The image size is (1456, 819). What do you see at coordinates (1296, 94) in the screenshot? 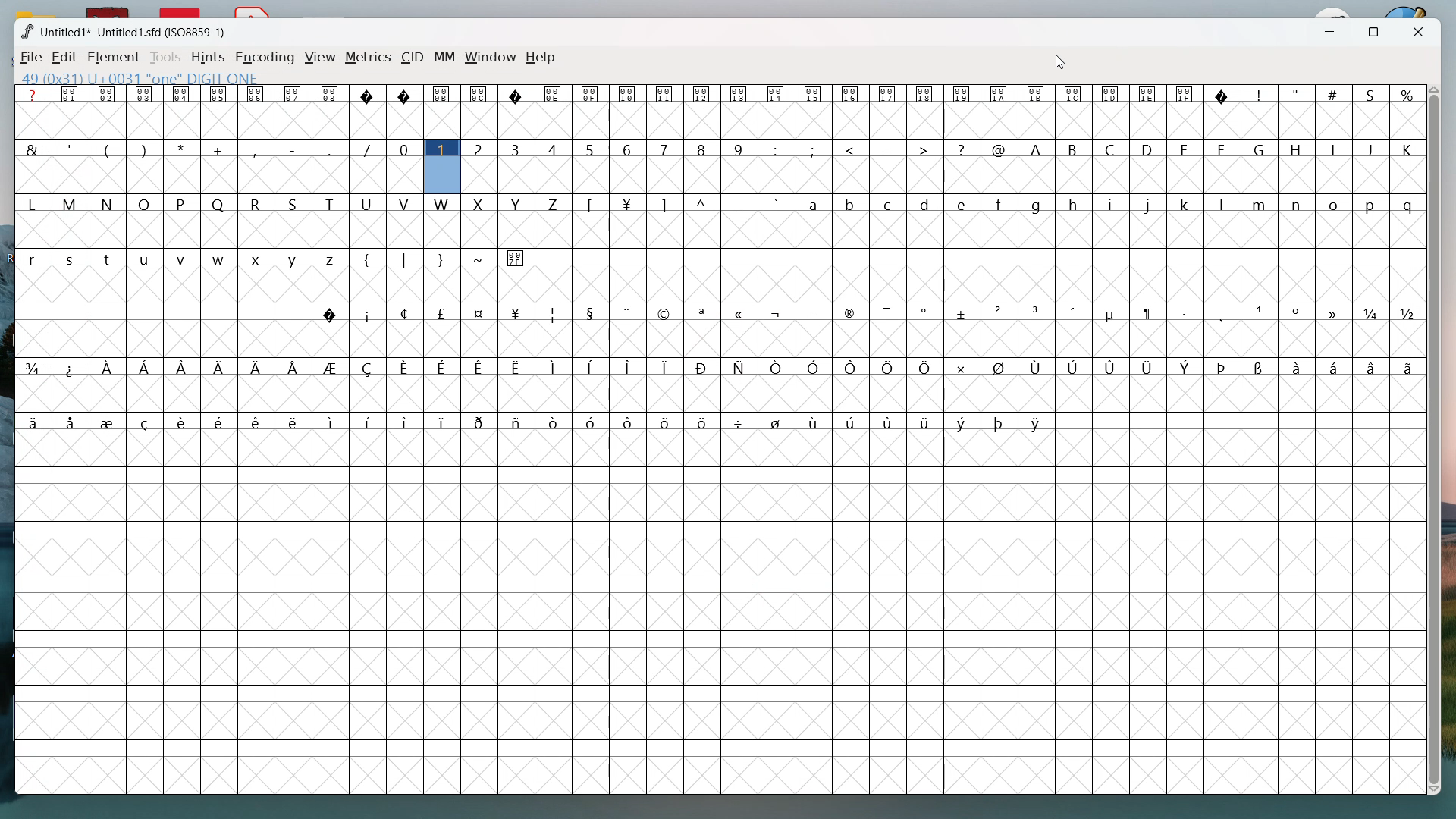
I see `"` at bounding box center [1296, 94].